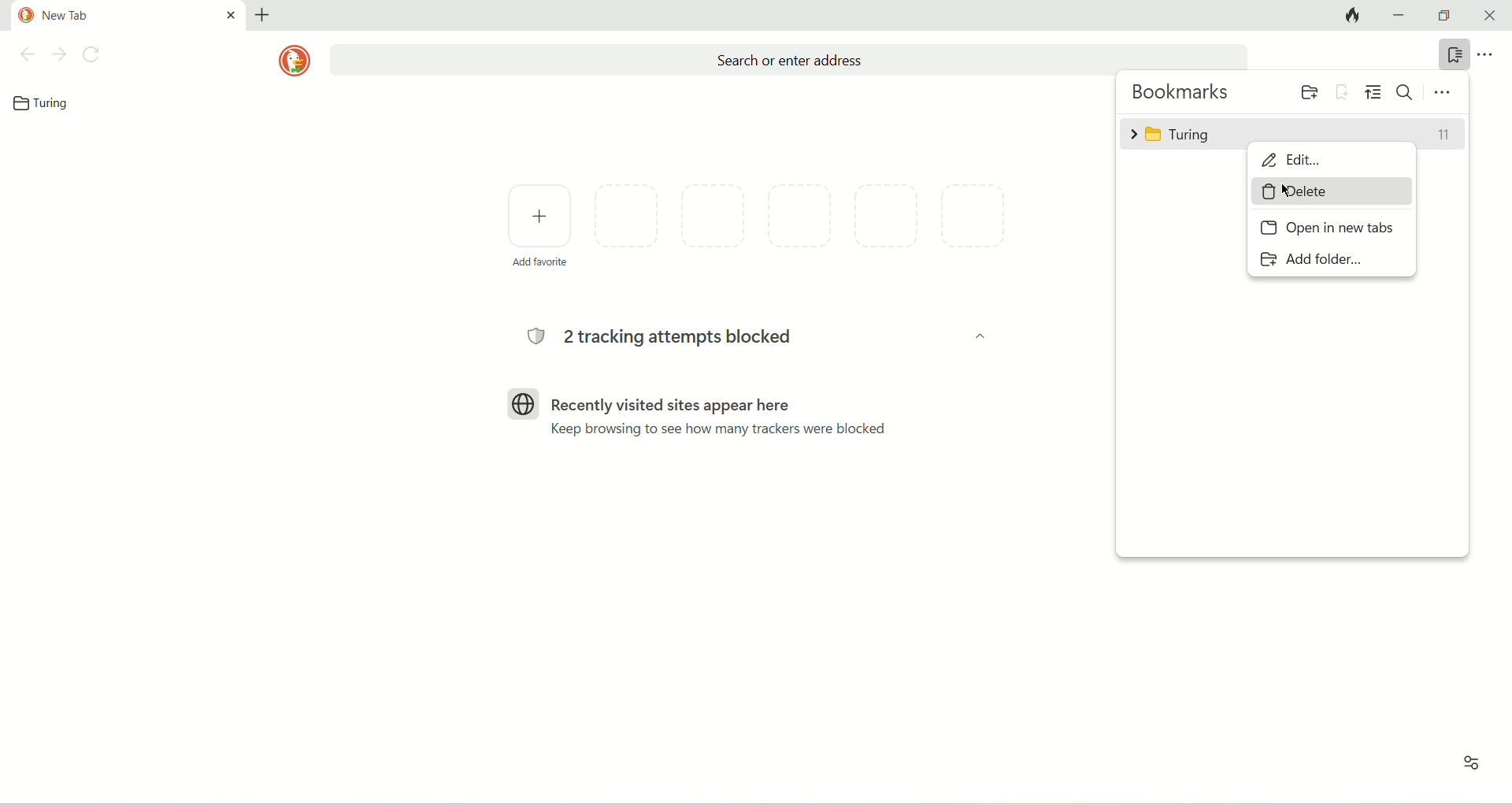 This screenshot has width=1512, height=805. Describe the element at coordinates (1343, 91) in the screenshot. I see `add bookmark` at that location.